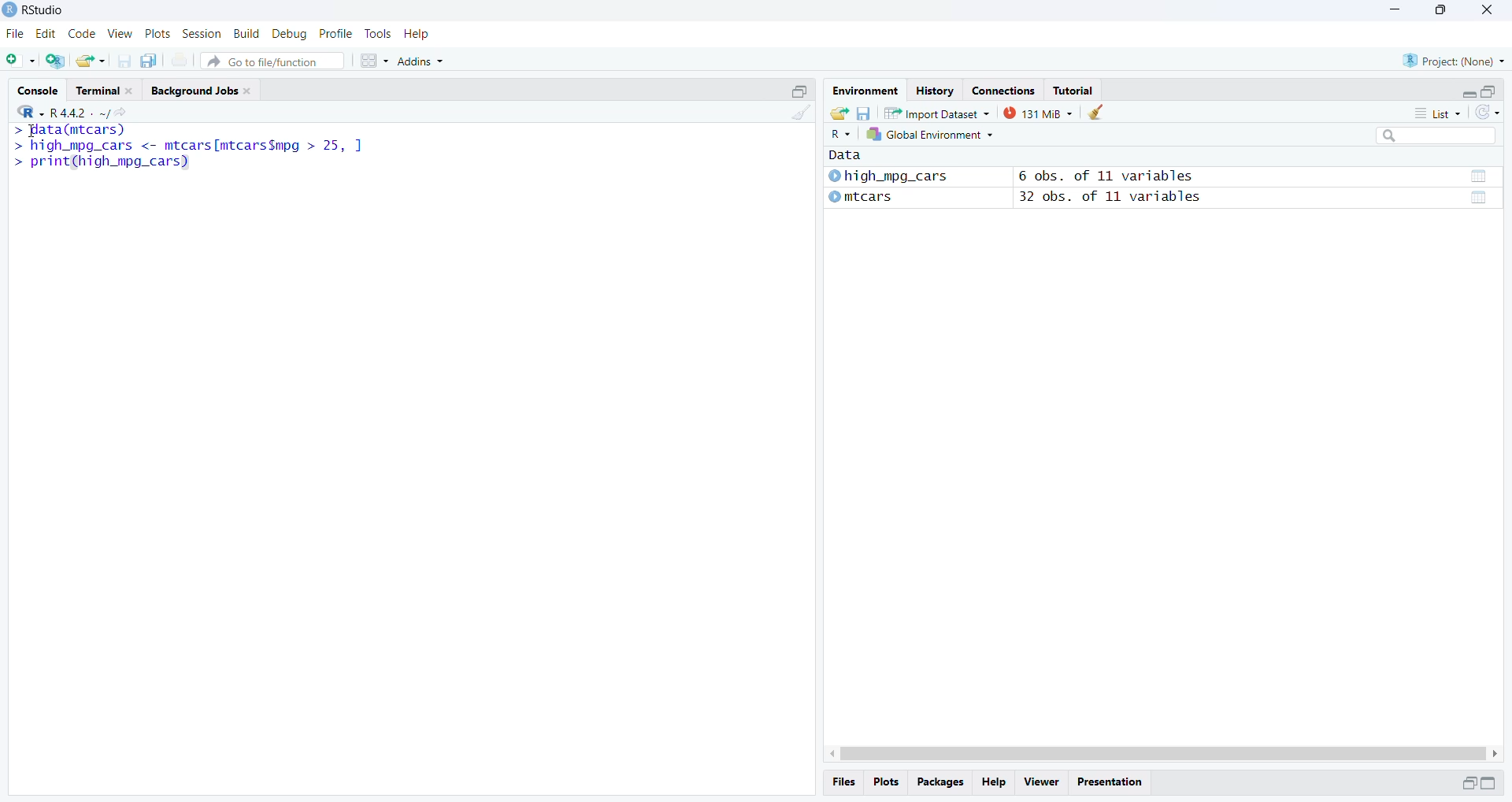 The height and width of the screenshot is (802, 1512). I want to click on Import Dataset, so click(936, 113).